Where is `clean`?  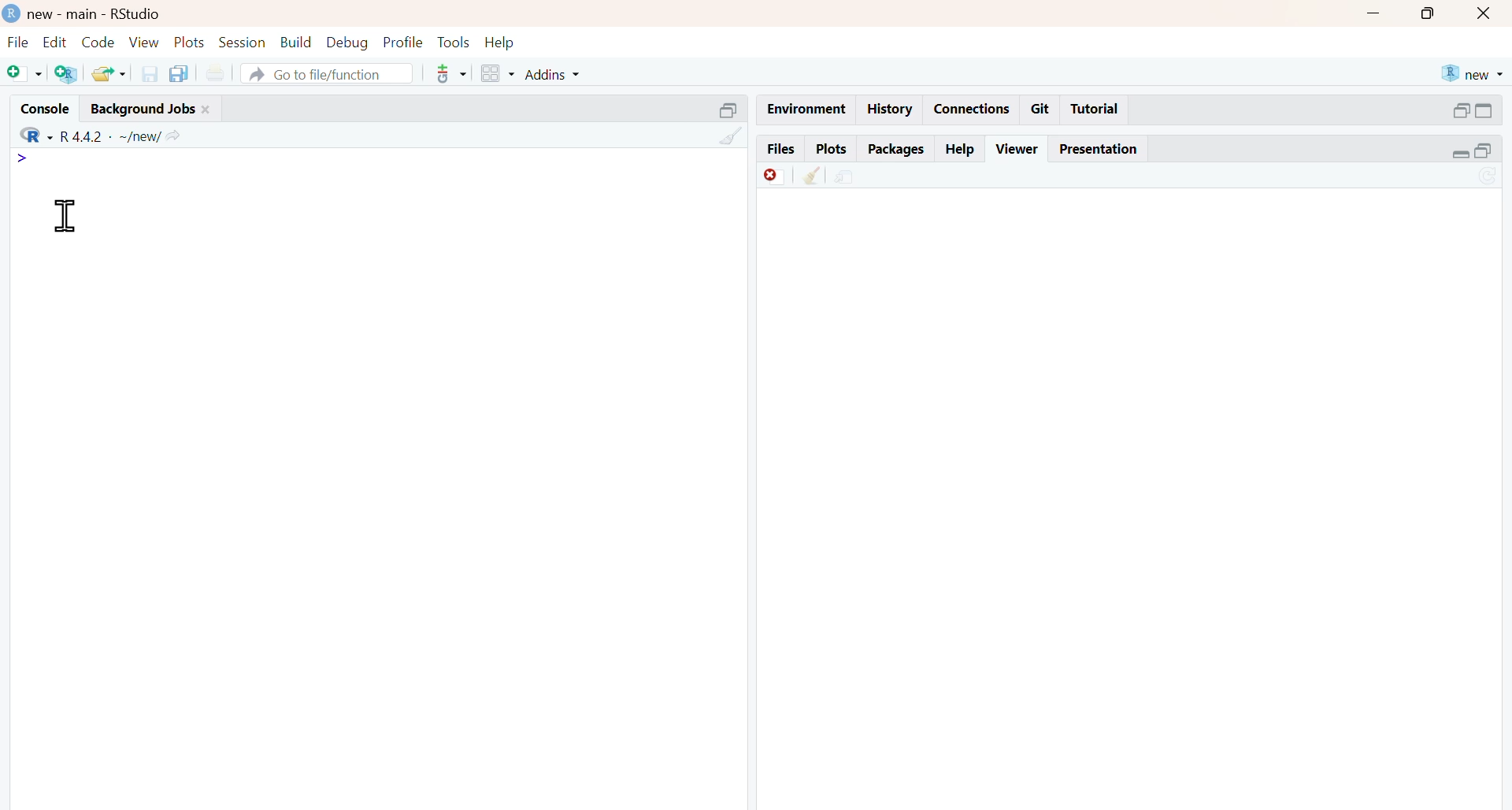 clean is located at coordinates (732, 136).